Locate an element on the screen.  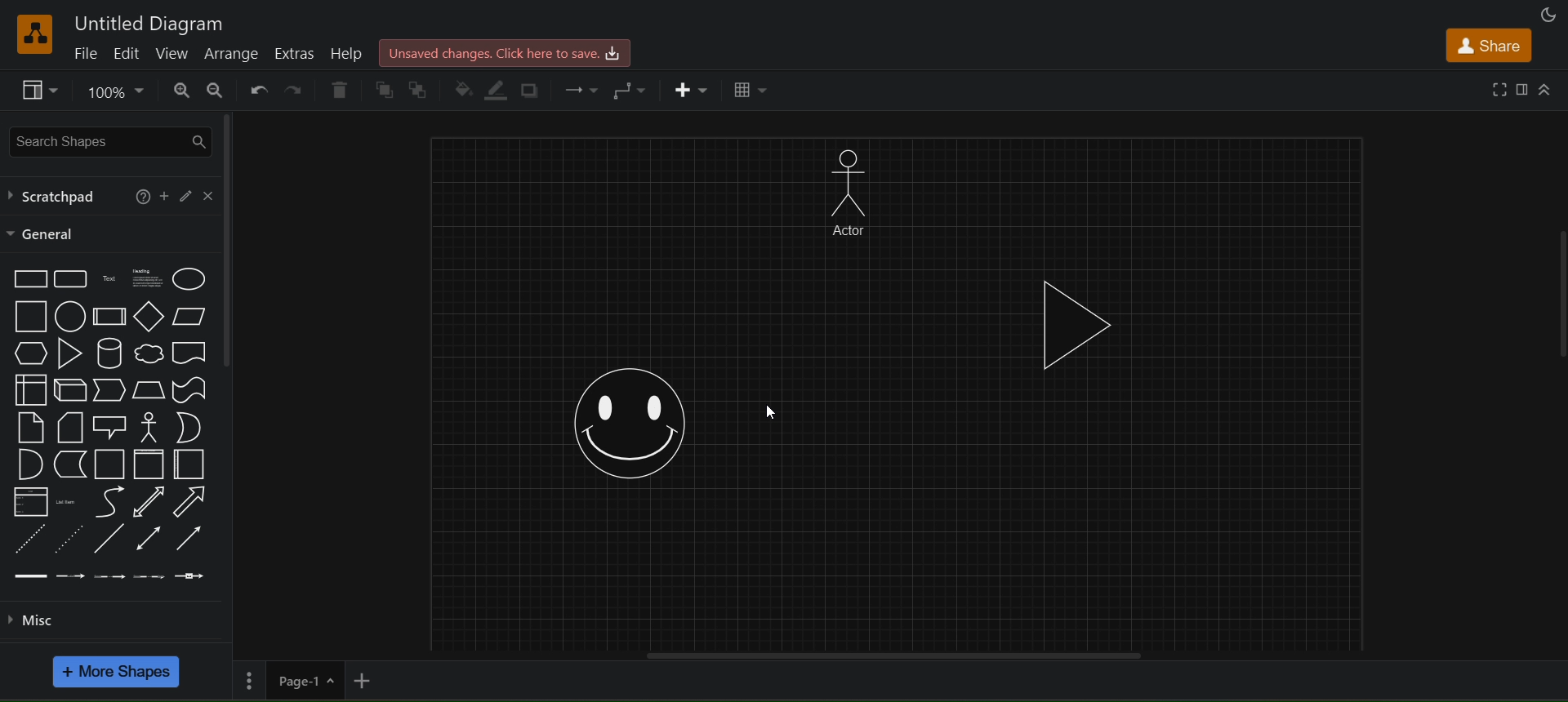
line is located at coordinates (110, 539).